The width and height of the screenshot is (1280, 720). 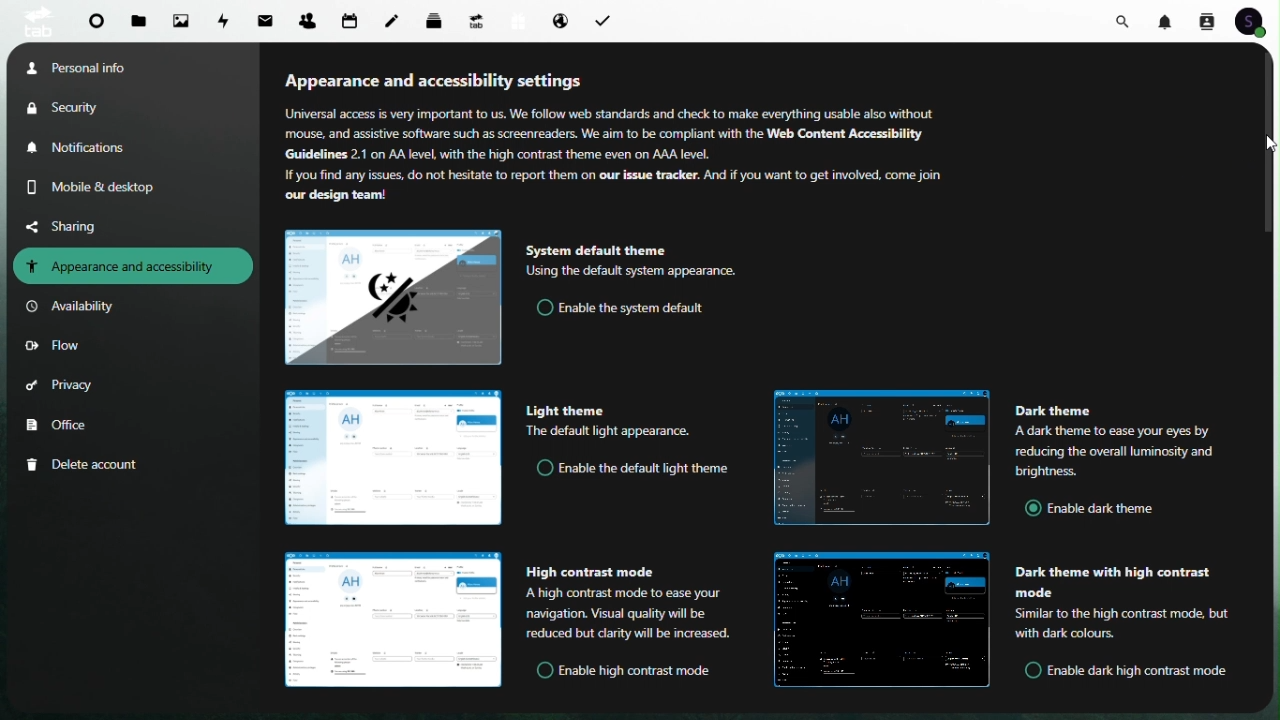 What do you see at coordinates (396, 299) in the screenshot?
I see `Default theme` at bounding box center [396, 299].